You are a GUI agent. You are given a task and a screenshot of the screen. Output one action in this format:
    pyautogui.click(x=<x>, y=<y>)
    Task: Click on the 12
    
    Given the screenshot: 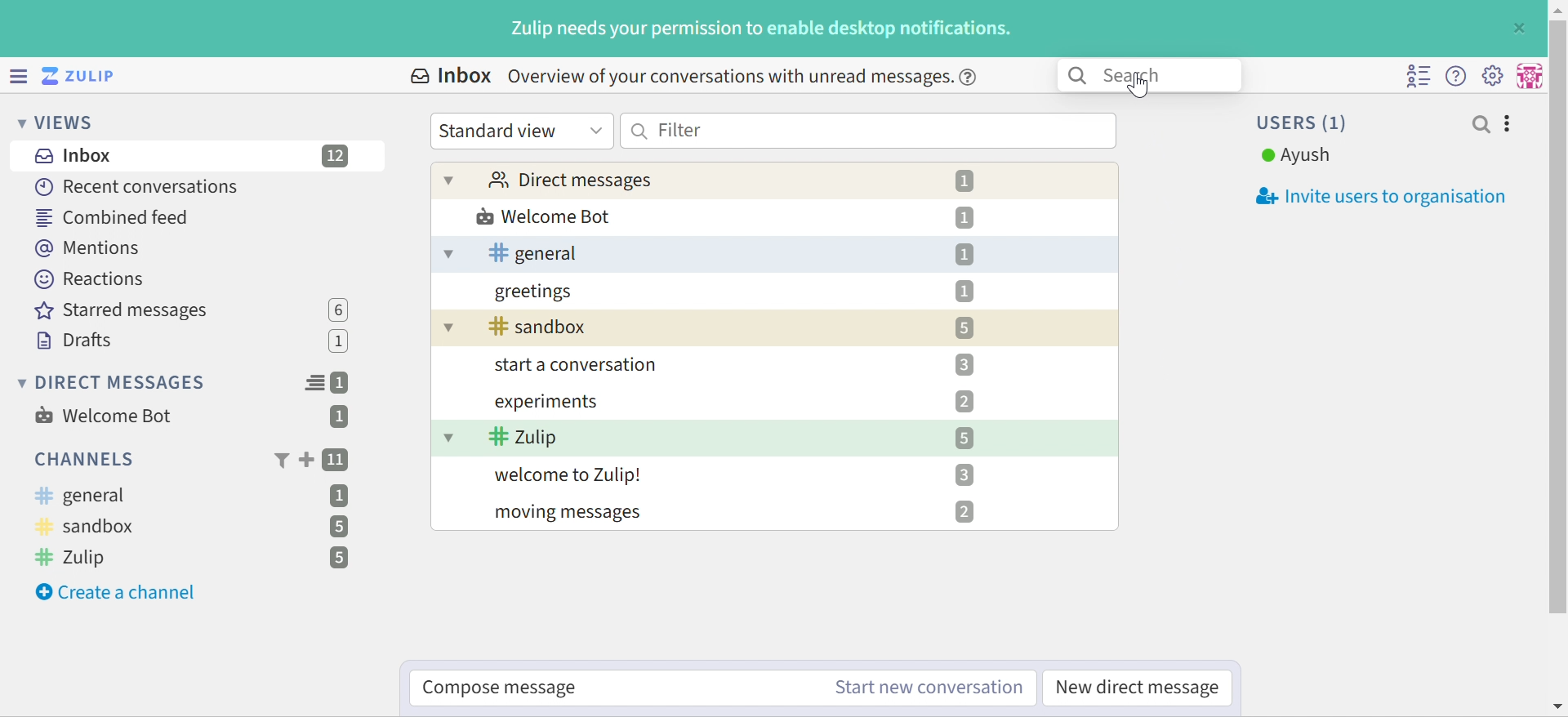 What is the action you would take?
    pyautogui.click(x=336, y=156)
    